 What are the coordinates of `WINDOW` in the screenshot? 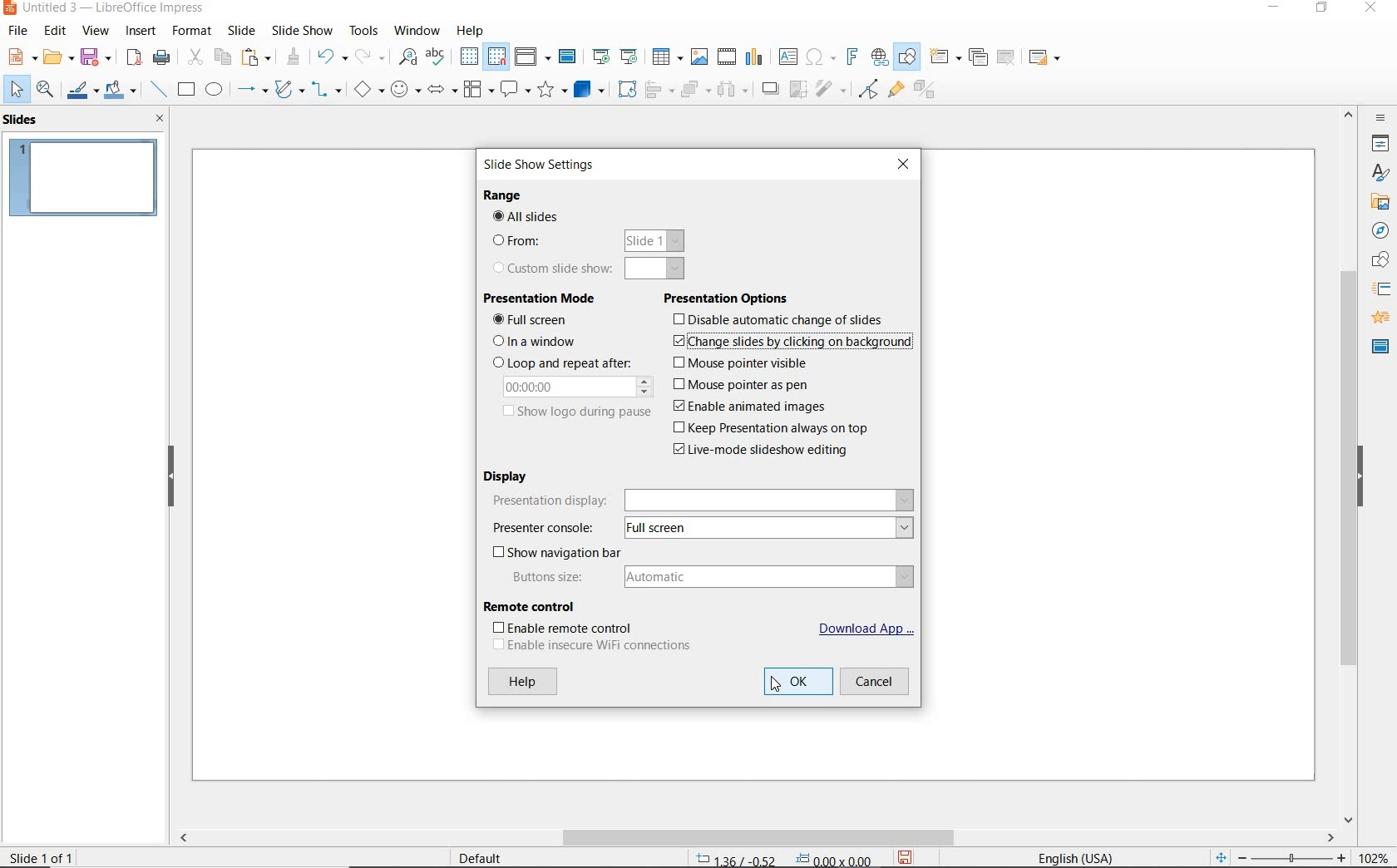 It's located at (416, 30).